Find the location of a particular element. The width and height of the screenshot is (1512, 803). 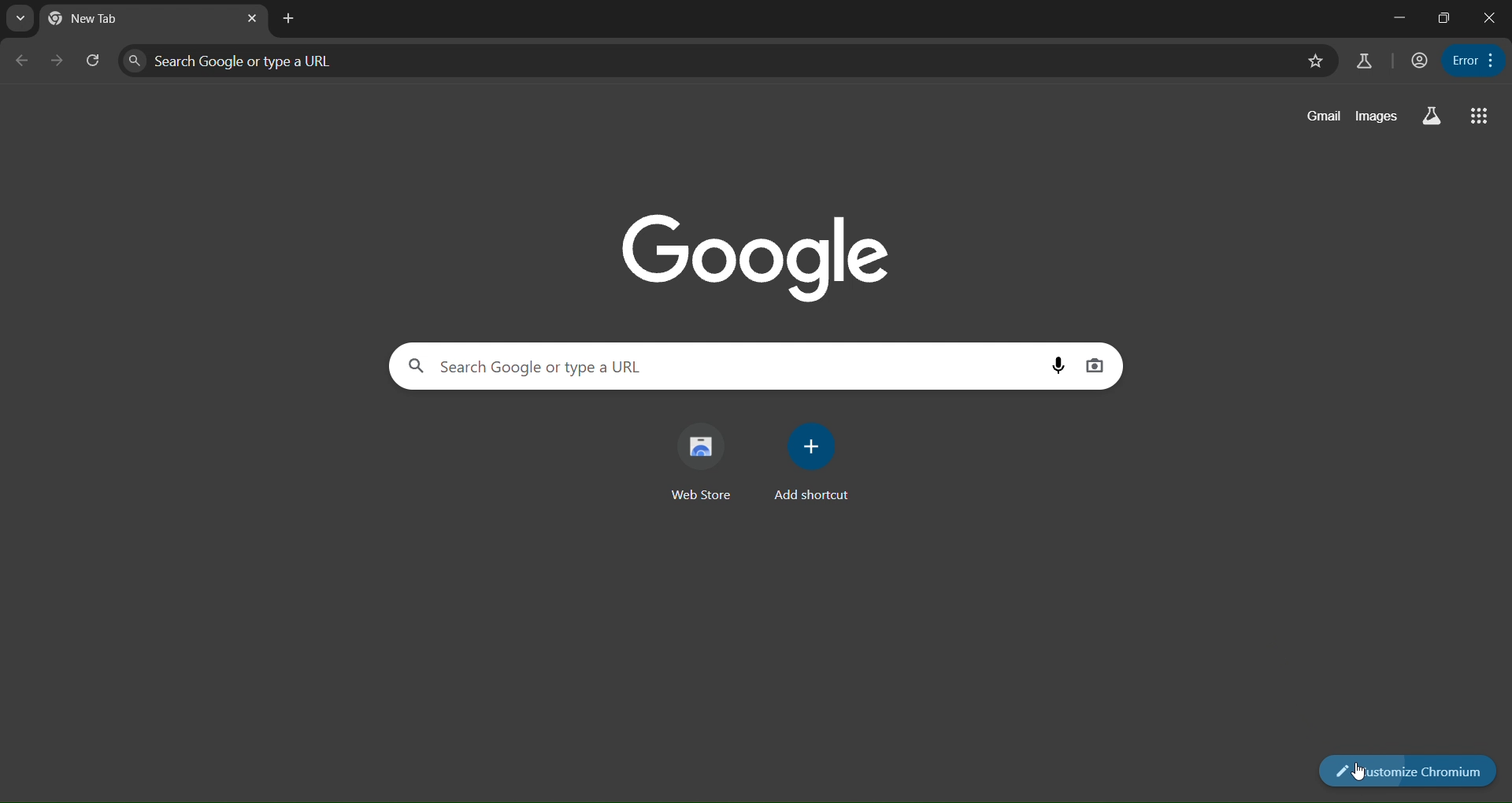

restore down is located at coordinates (1442, 17).